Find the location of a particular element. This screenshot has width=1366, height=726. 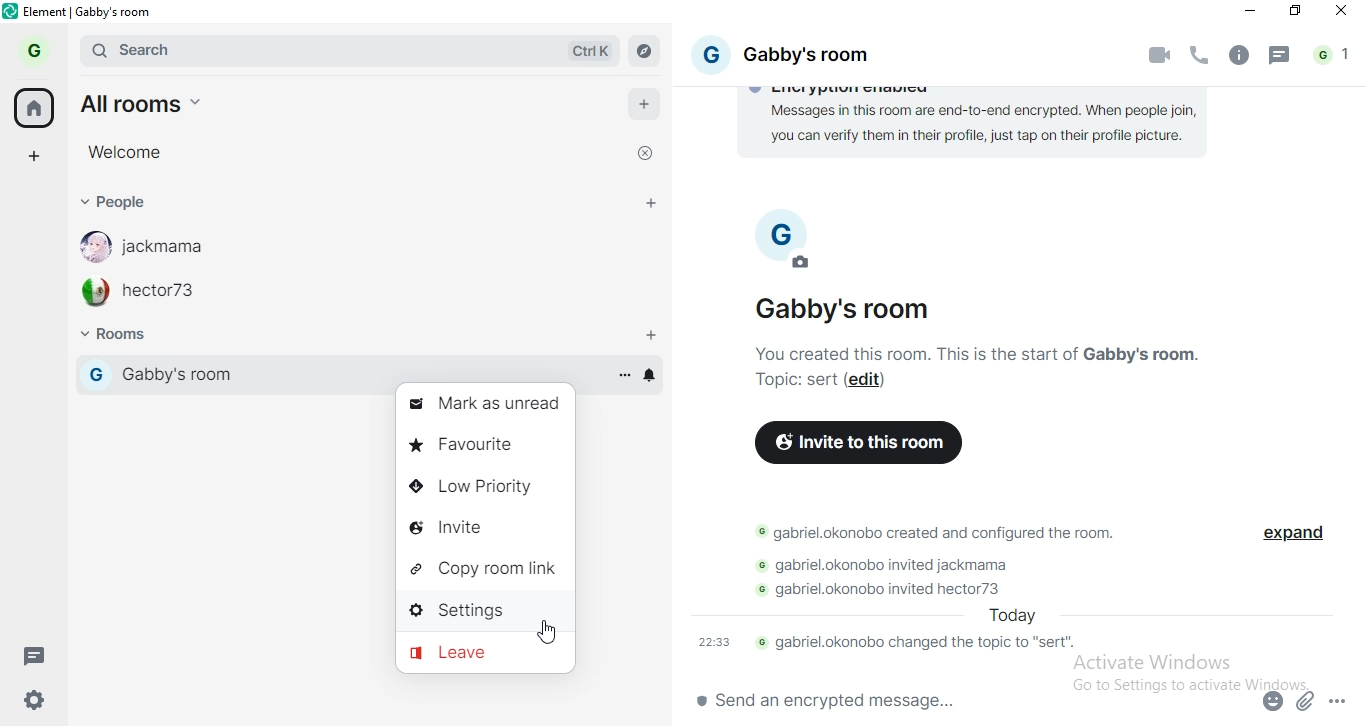

G is located at coordinates (709, 52).